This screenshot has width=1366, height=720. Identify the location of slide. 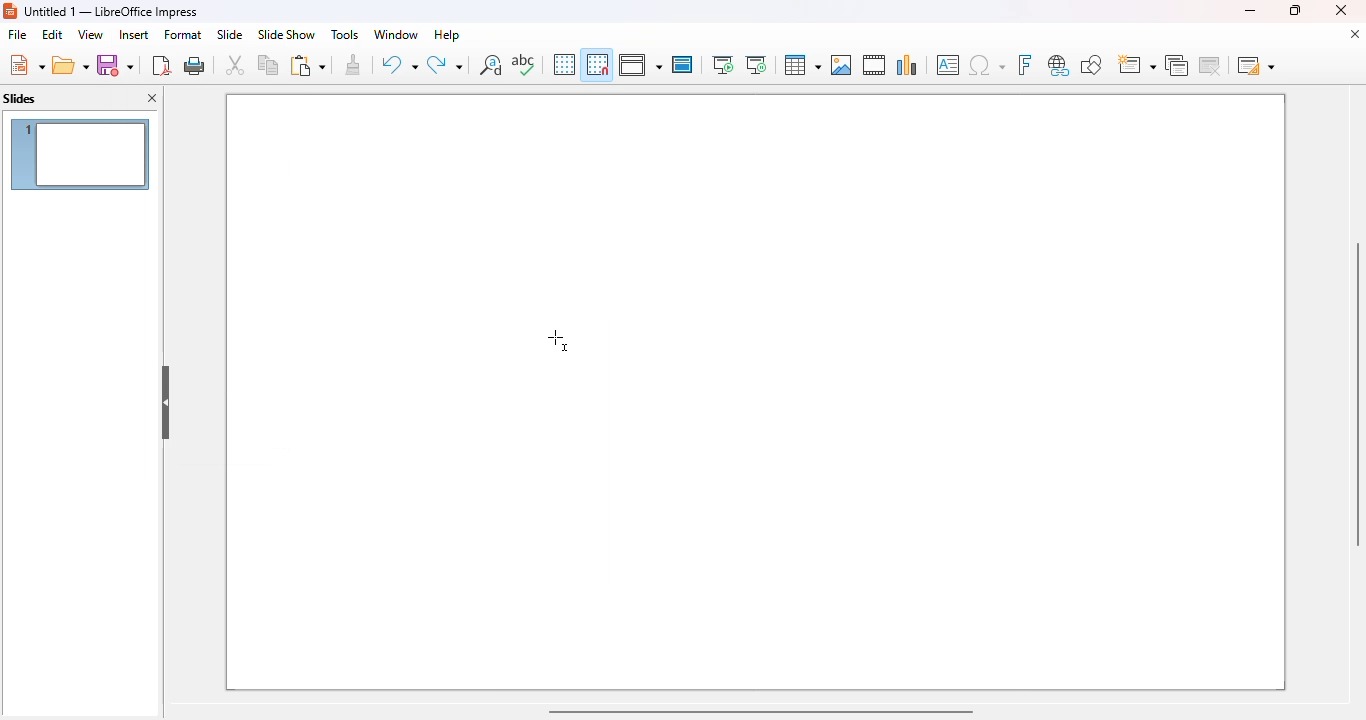
(229, 34).